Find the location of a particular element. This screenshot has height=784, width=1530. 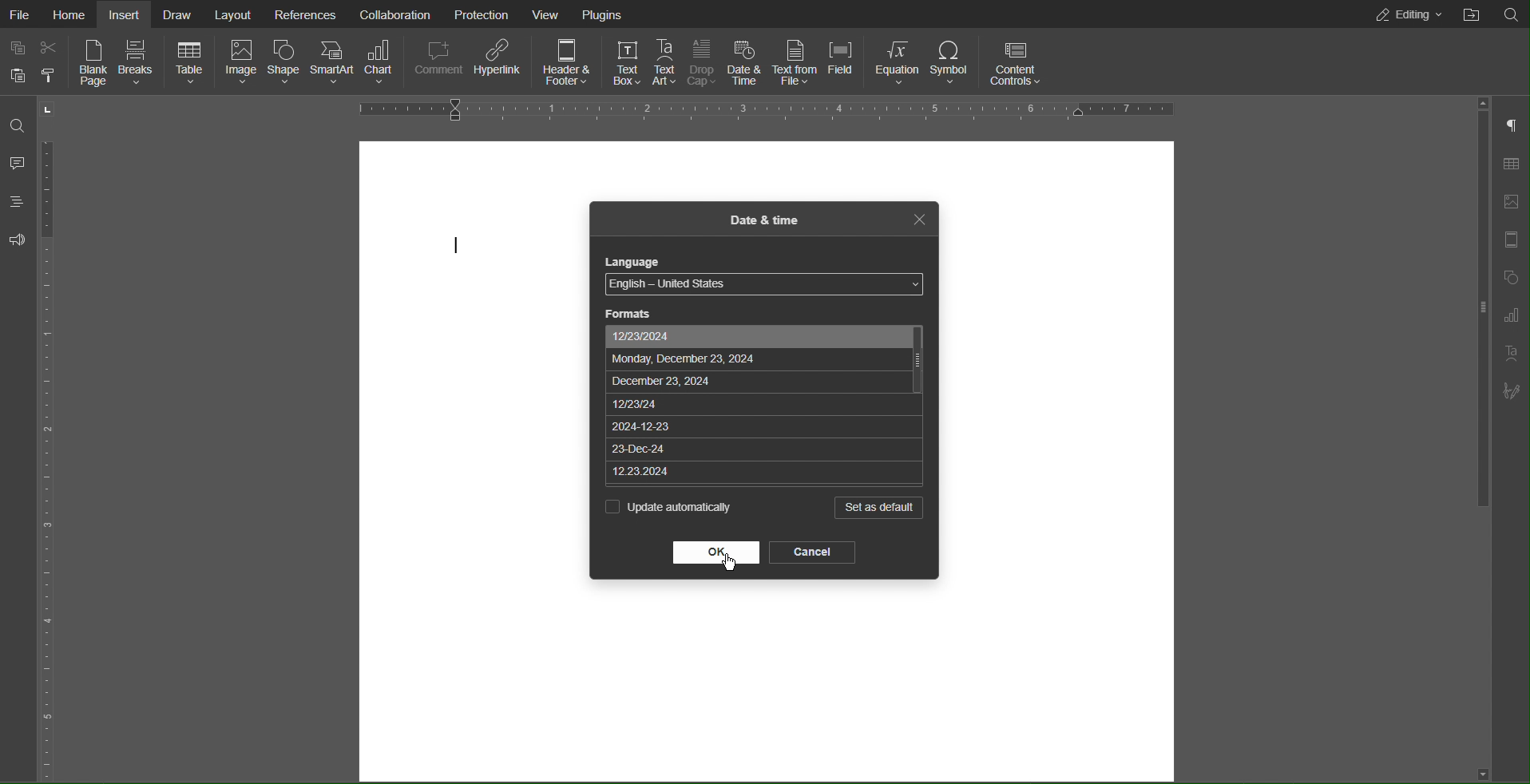

Text Art is located at coordinates (1512, 353).